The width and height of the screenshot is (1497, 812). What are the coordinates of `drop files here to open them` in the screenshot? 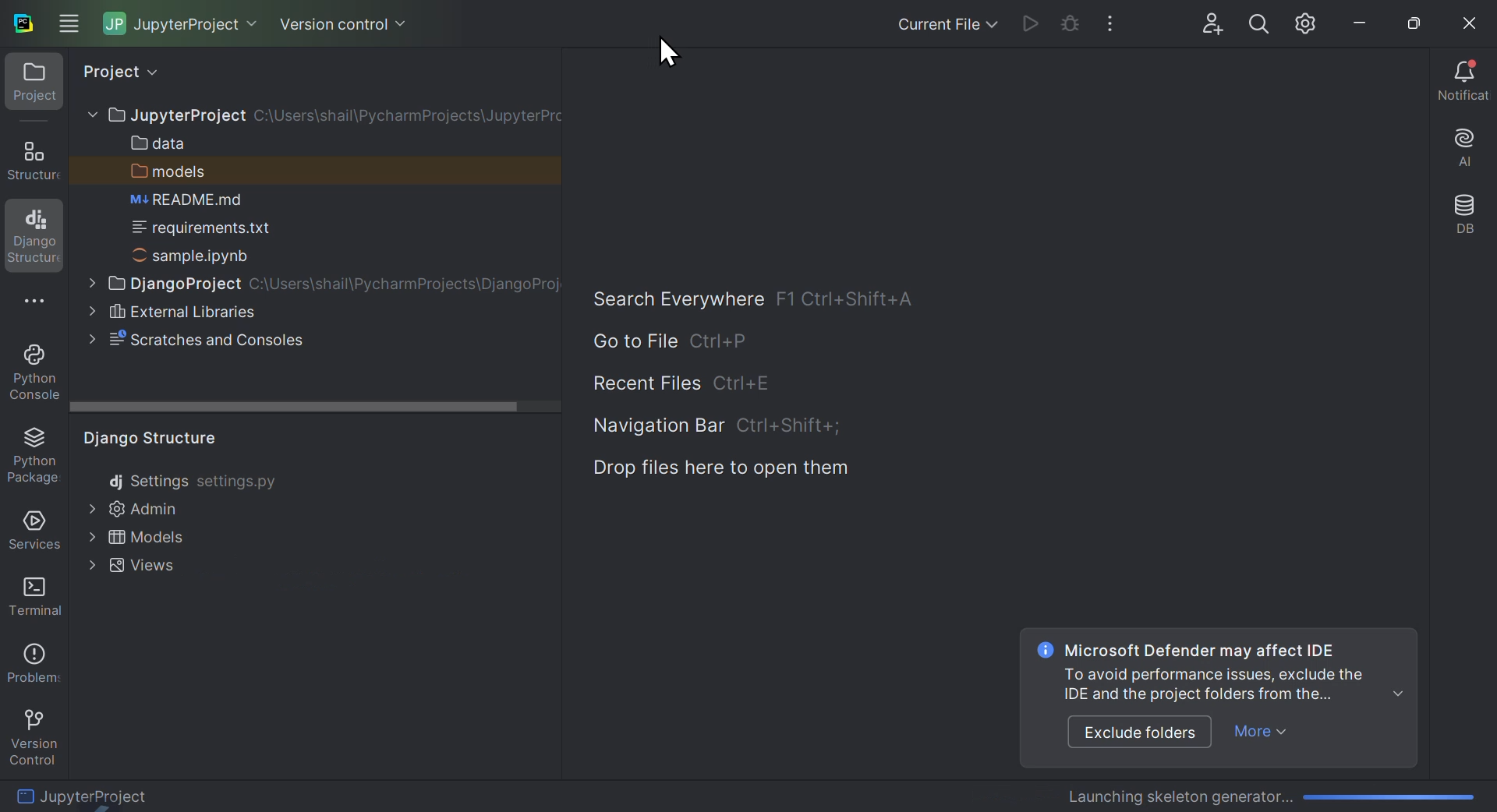 It's located at (730, 469).